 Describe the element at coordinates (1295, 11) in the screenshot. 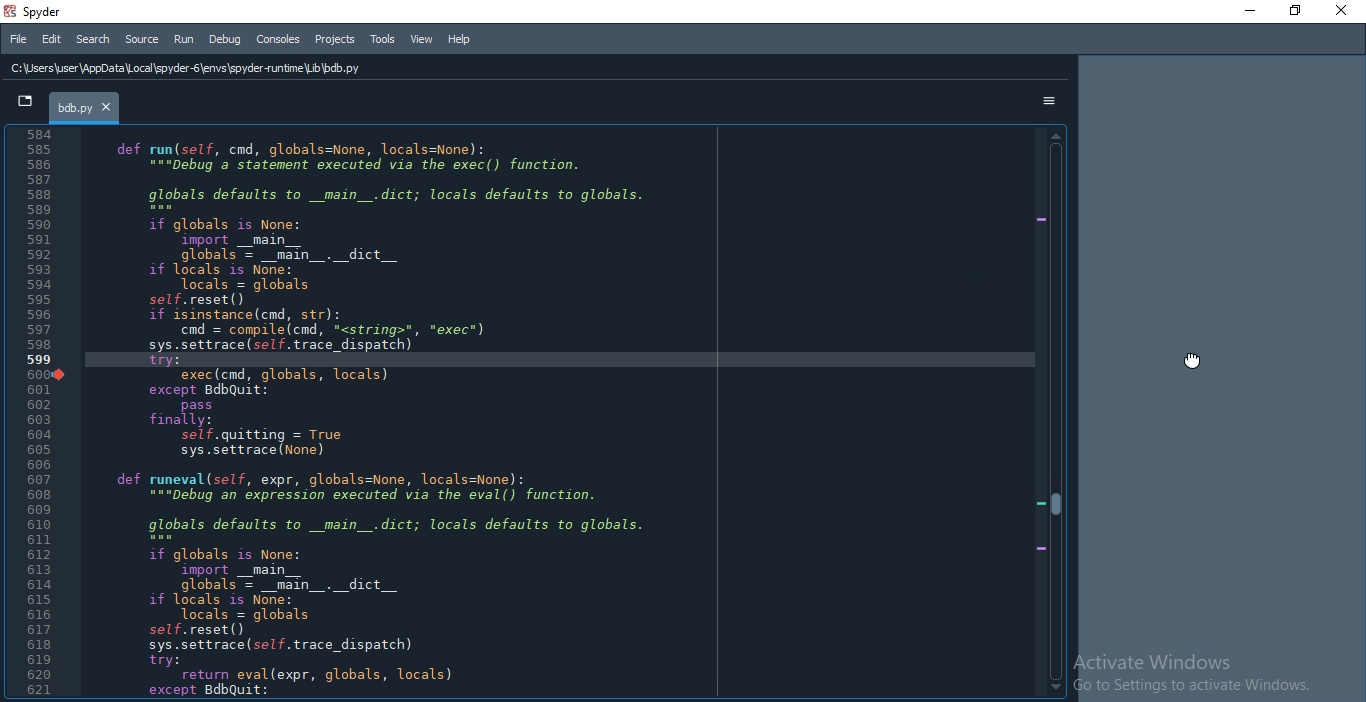

I see `Restore` at that location.